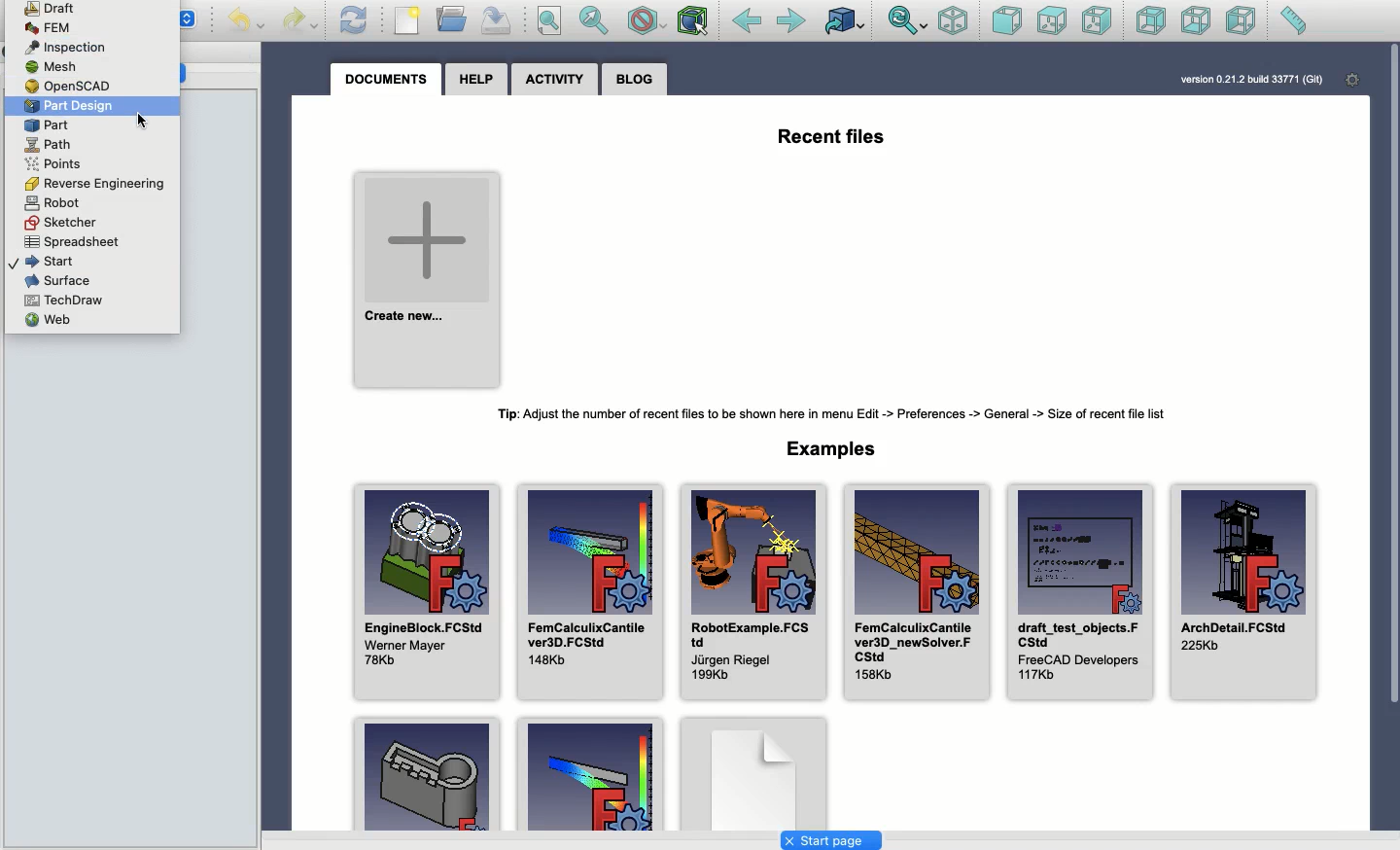 This screenshot has width=1400, height=850. What do you see at coordinates (73, 241) in the screenshot?
I see `Spreadsheet` at bounding box center [73, 241].